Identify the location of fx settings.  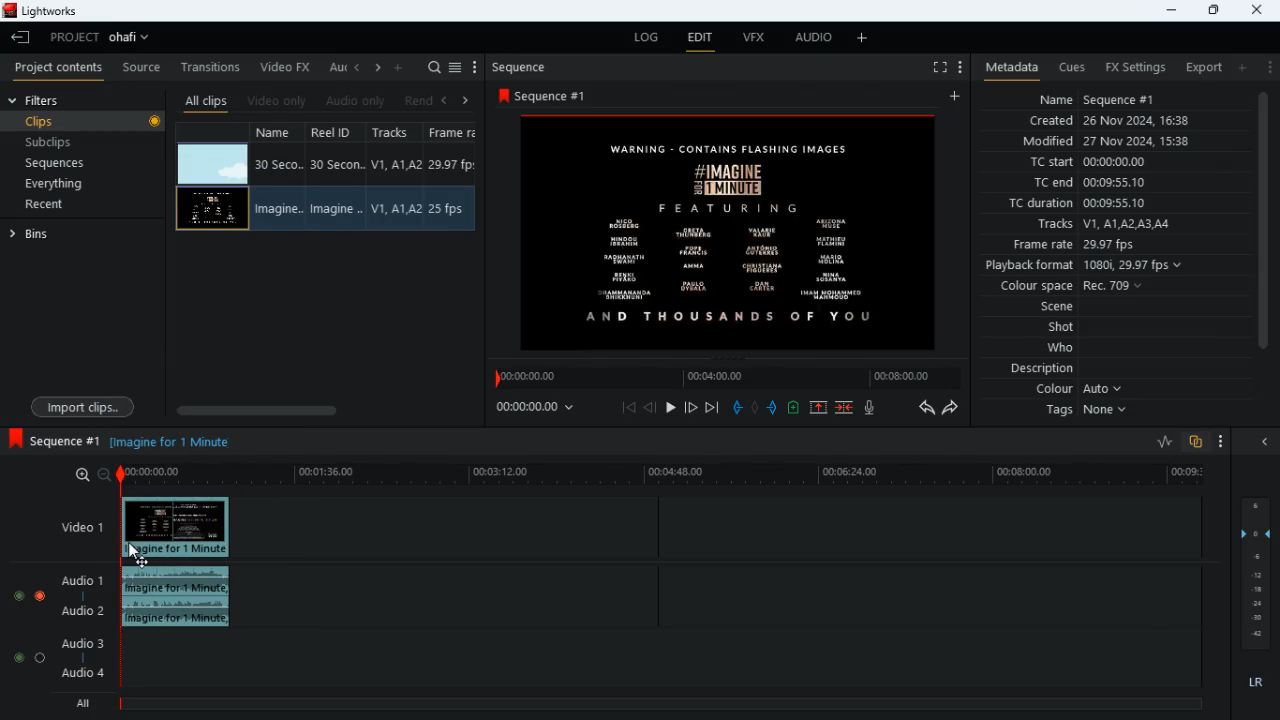
(1133, 66).